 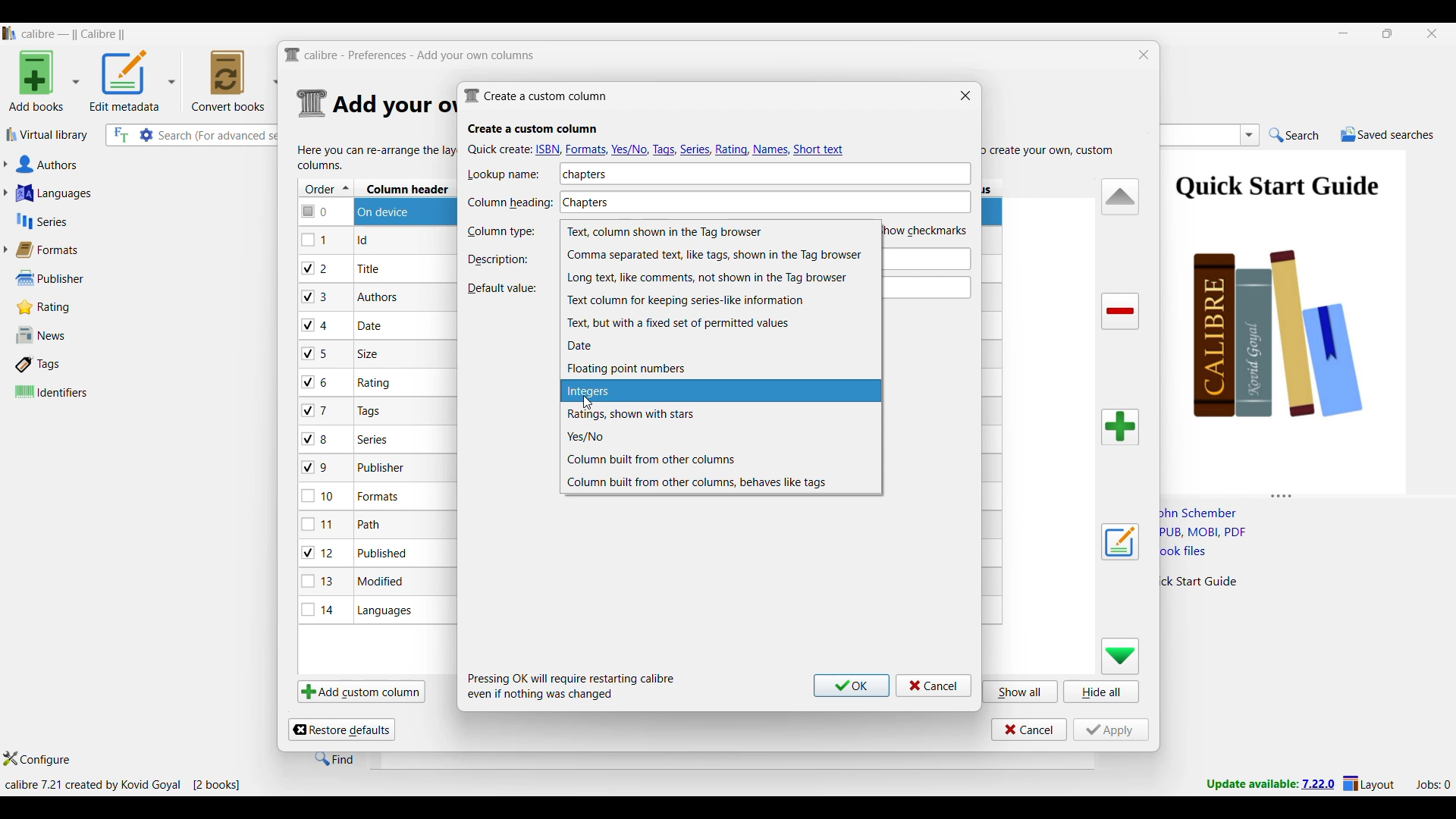 What do you see at coordinates (1294, 136) in the screenshot?
I see `Search` at bounding box center [1294, 136].